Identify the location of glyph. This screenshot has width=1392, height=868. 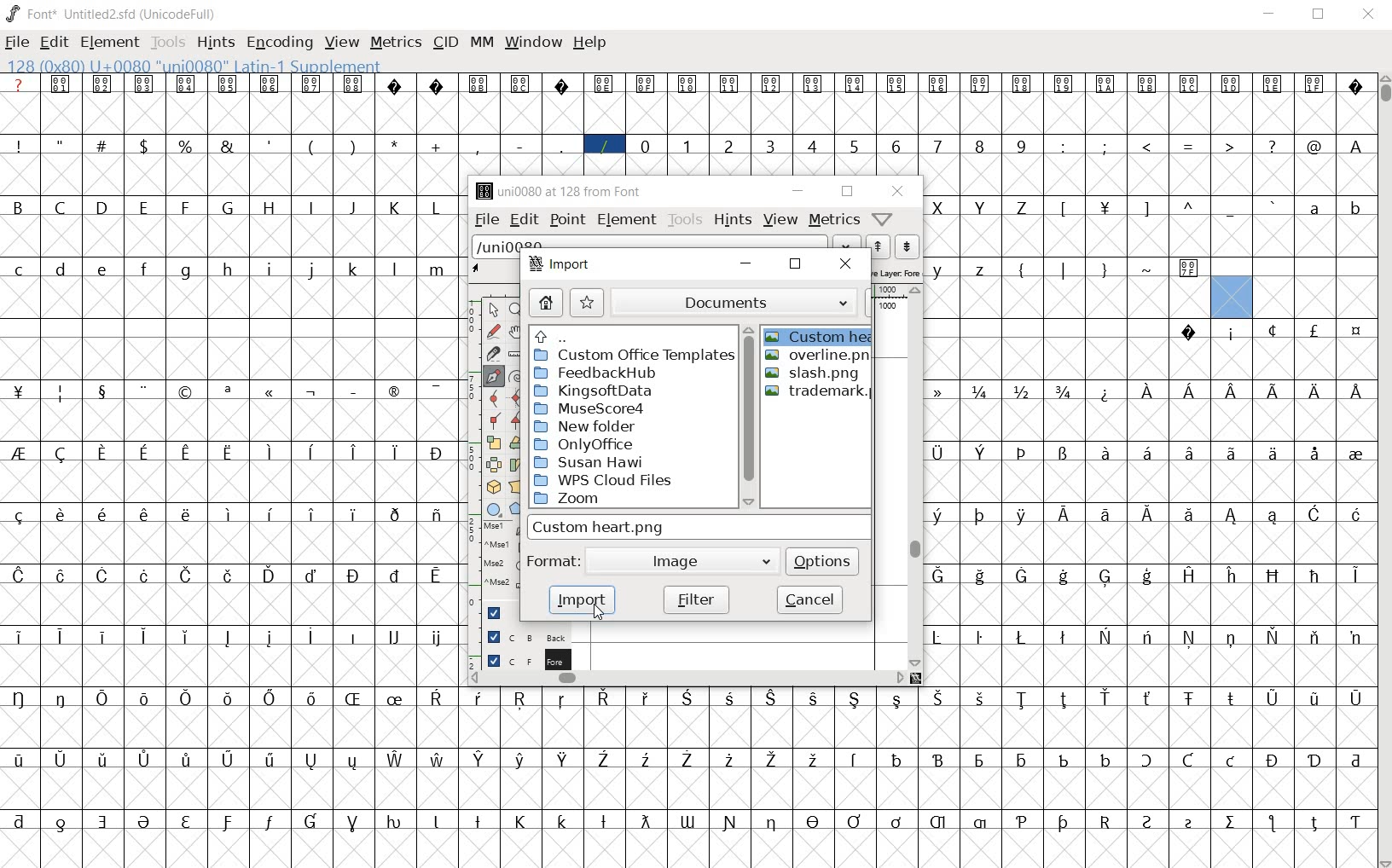
(186, 393).